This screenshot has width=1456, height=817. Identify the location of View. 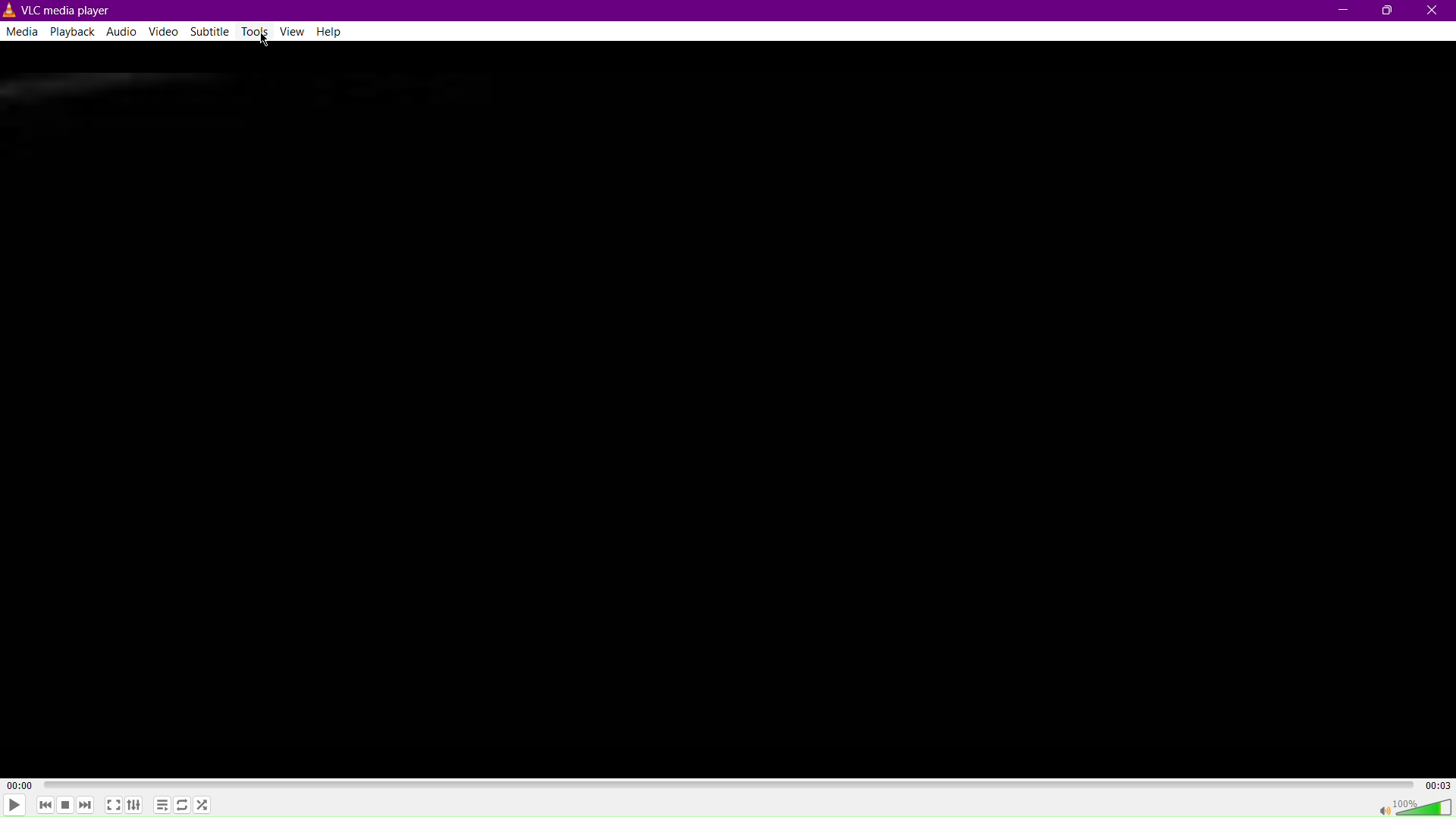
(294, 33).